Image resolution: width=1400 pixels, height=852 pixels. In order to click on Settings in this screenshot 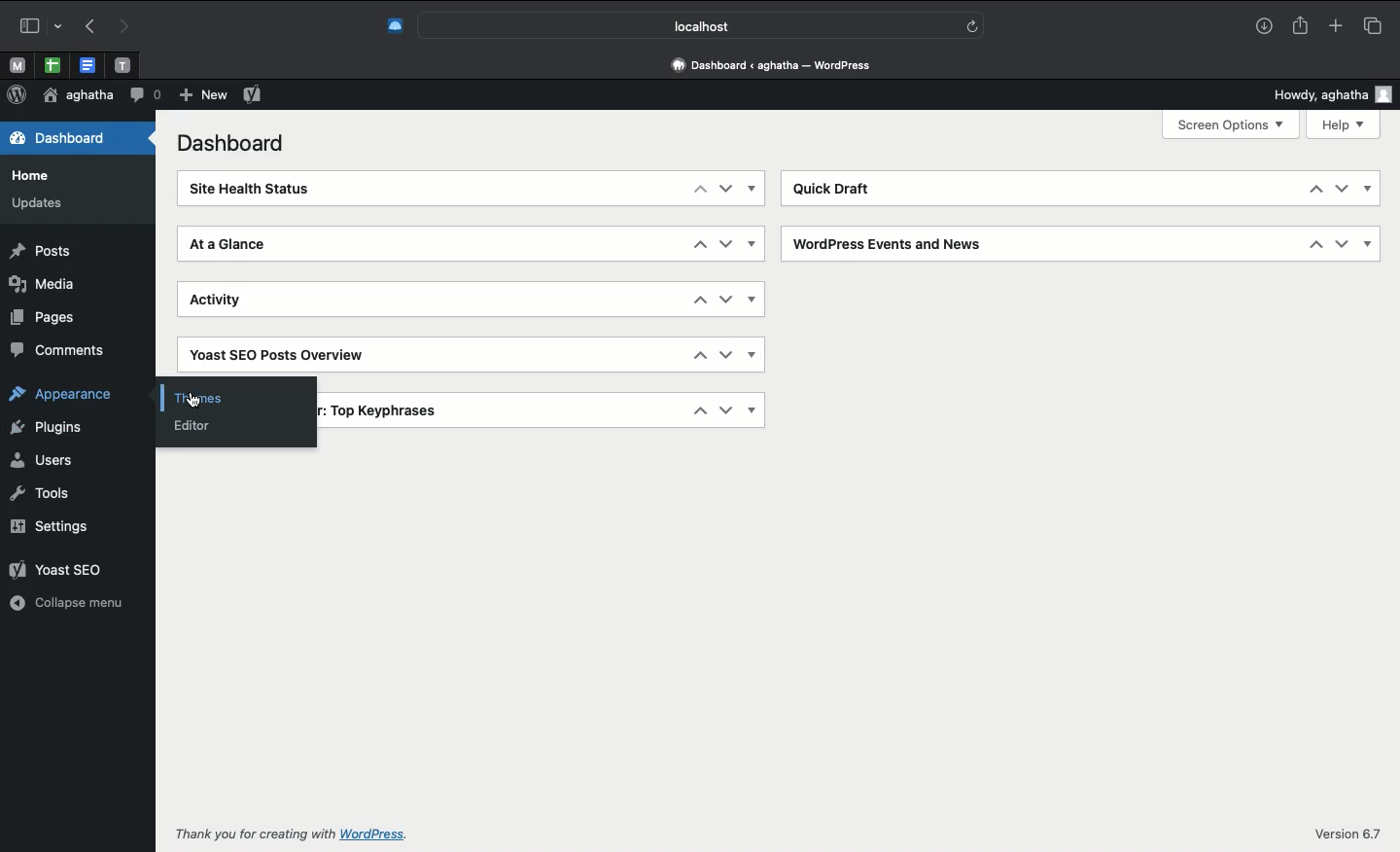, I will do `click(49, 526)`.